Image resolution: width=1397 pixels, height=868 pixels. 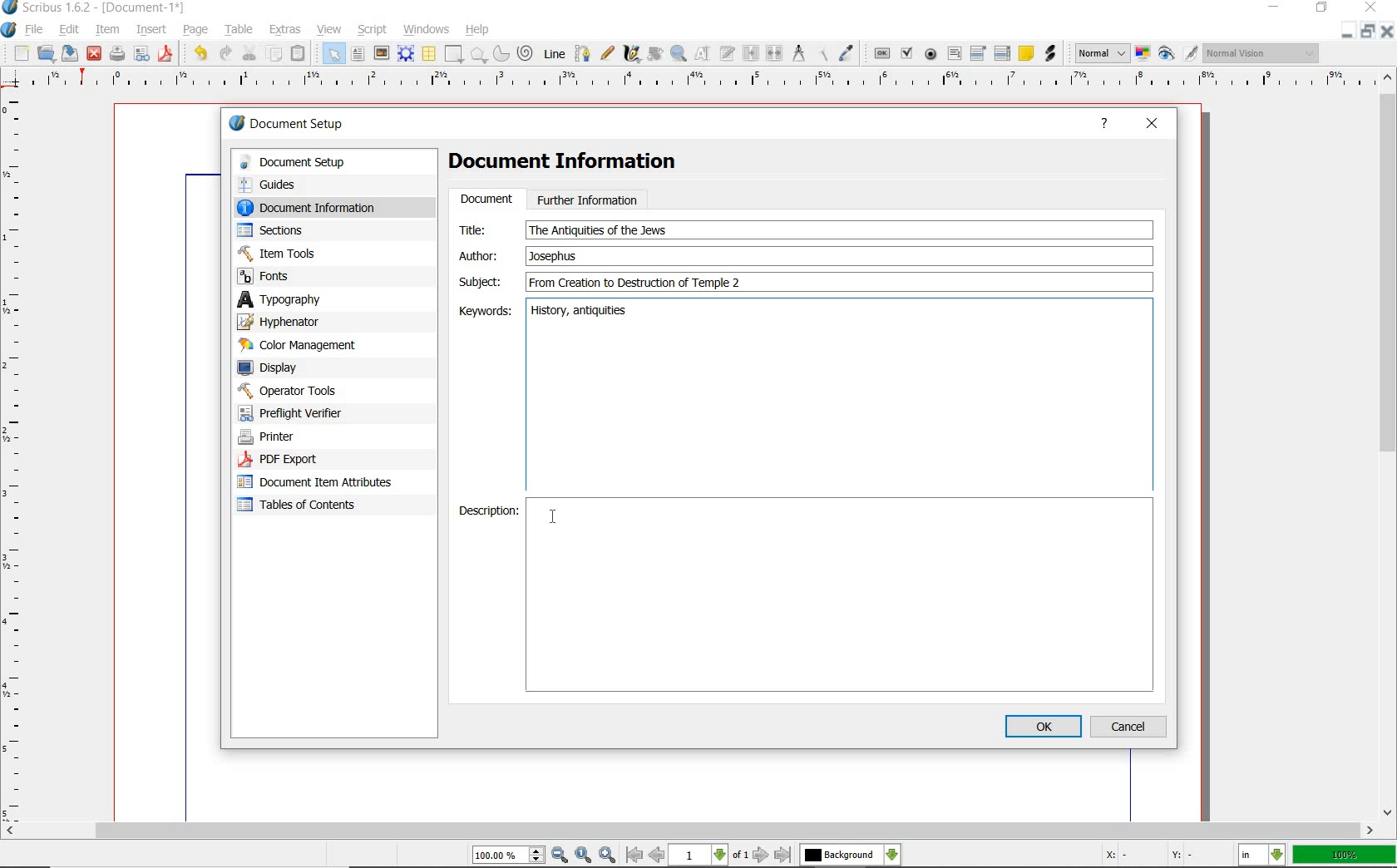 What do you see at coordinates (487, 512) in the screenshot?
I see `Description` at bounding box center [487, 512].